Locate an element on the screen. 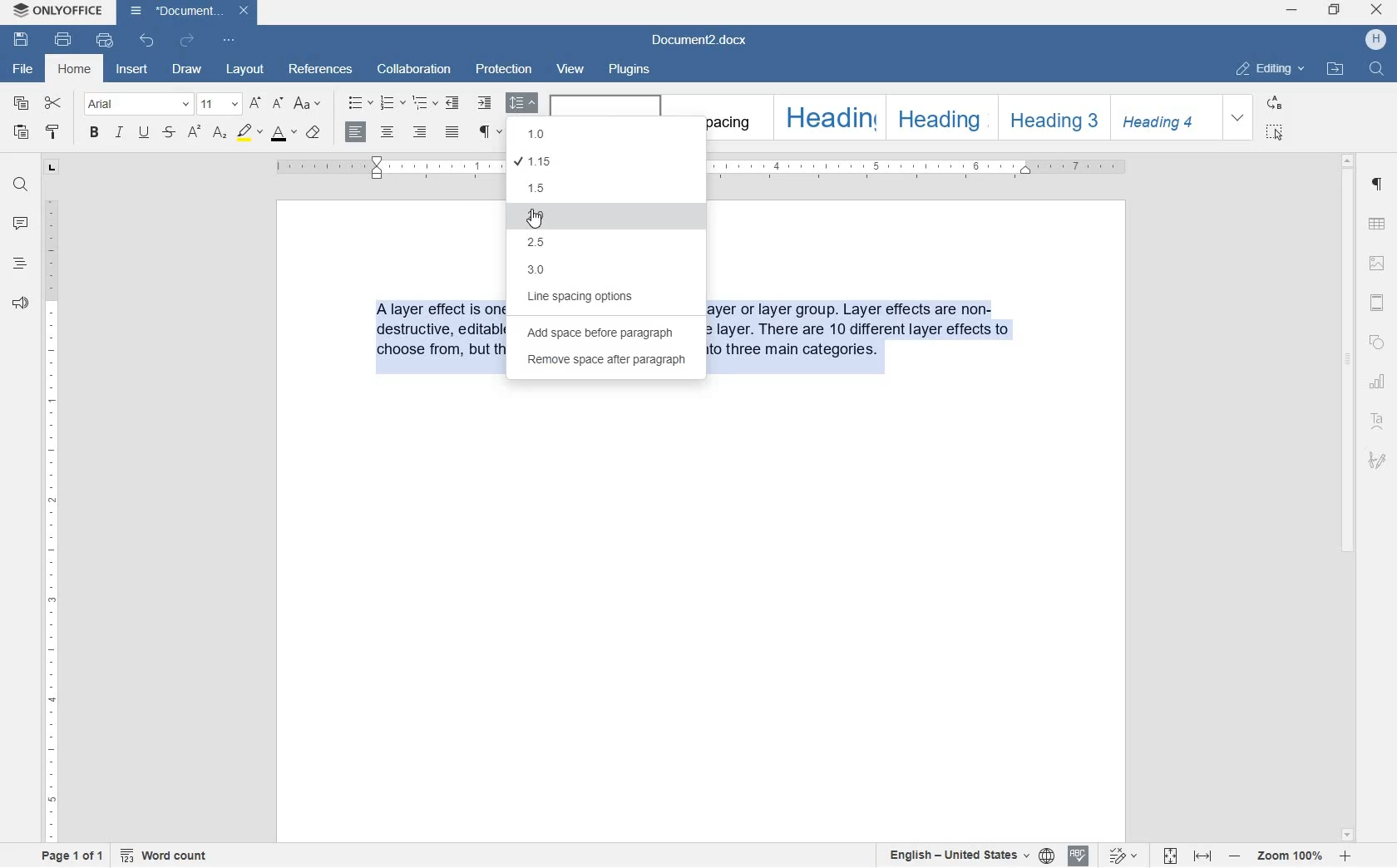  highlight color is located at coordinates (249, 134).